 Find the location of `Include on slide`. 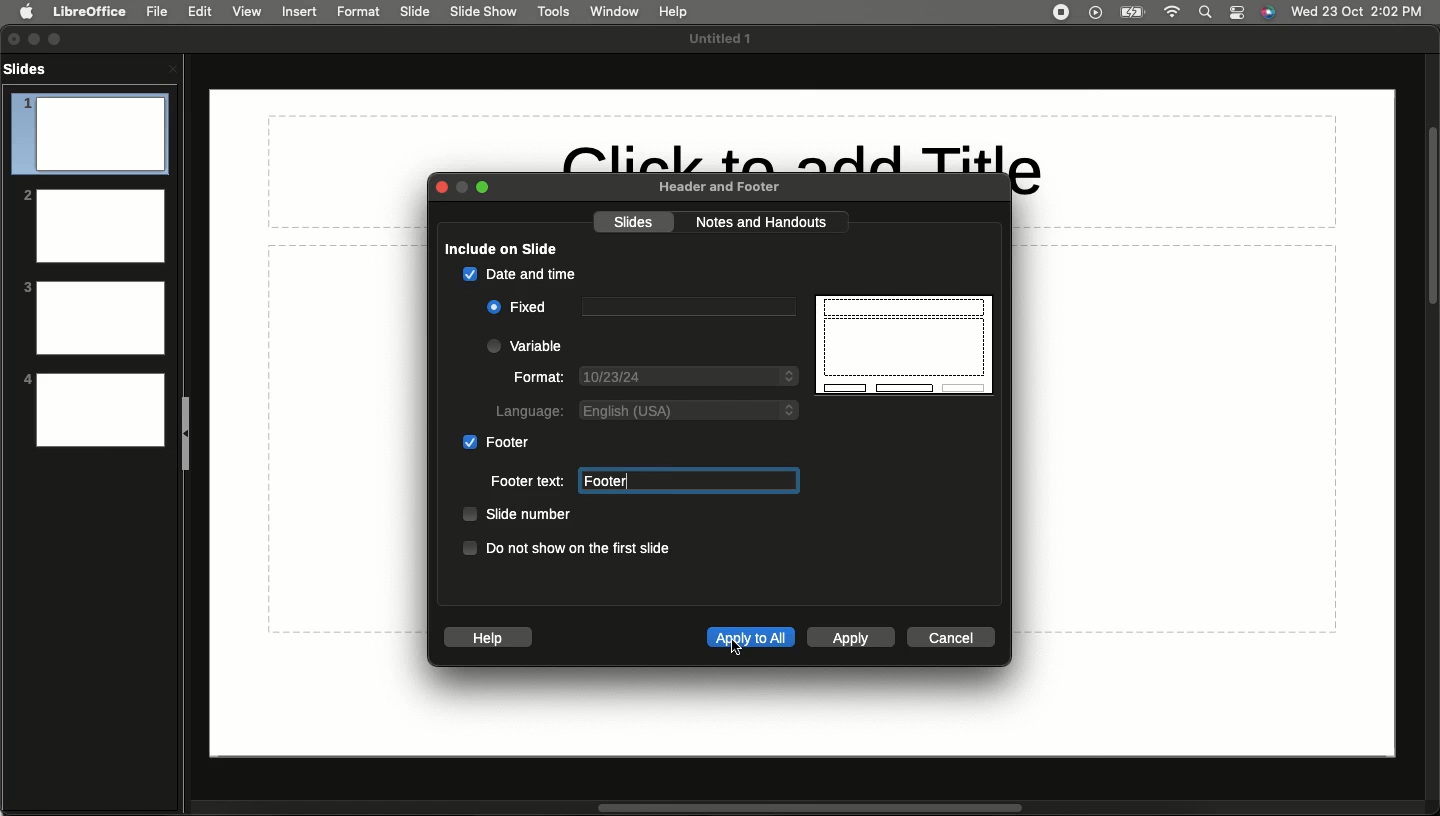

Include on slide is located at coordinates (499, 246).